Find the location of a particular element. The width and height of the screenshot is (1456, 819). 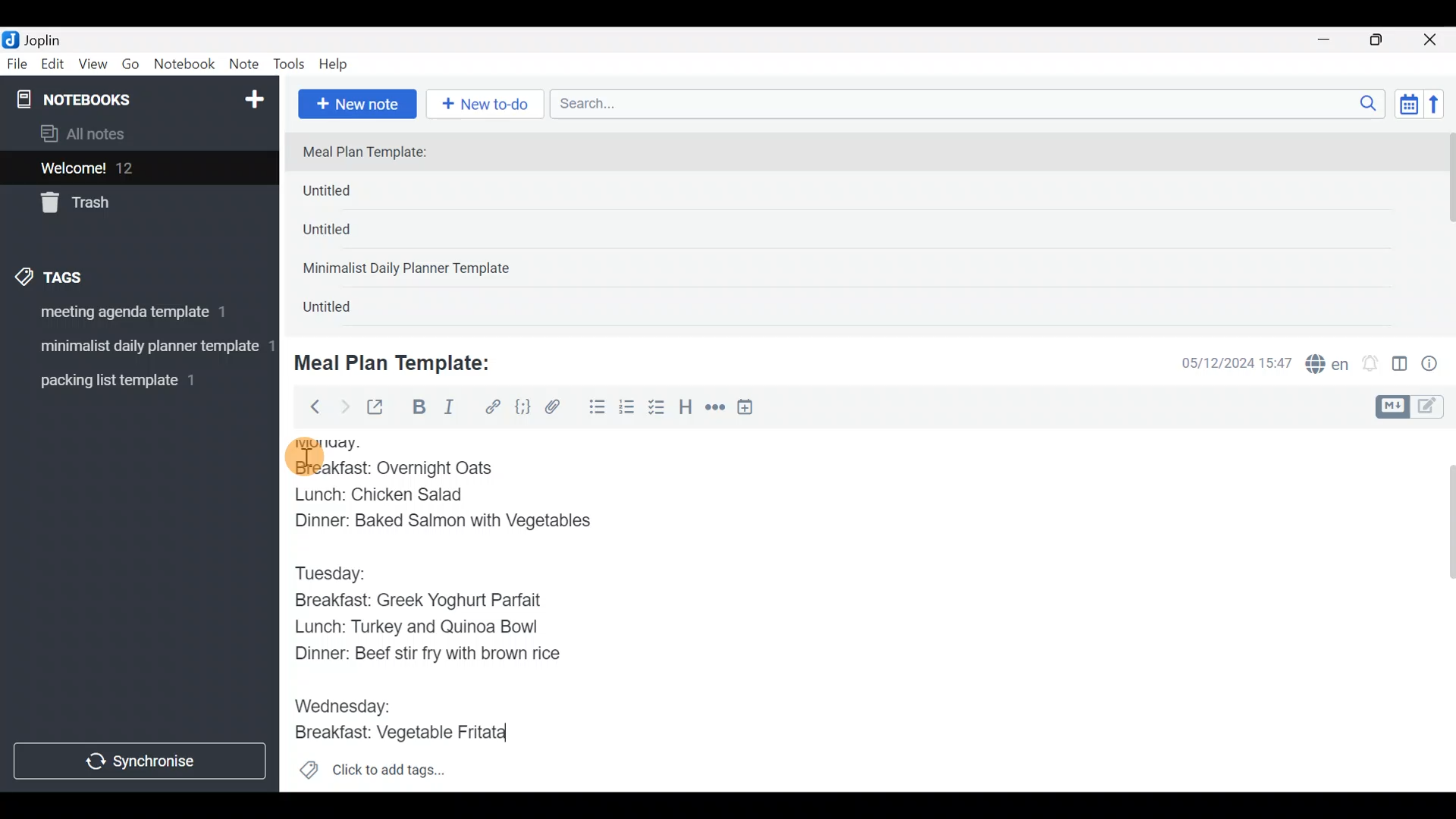

Back is located at coordinates (309, 406).